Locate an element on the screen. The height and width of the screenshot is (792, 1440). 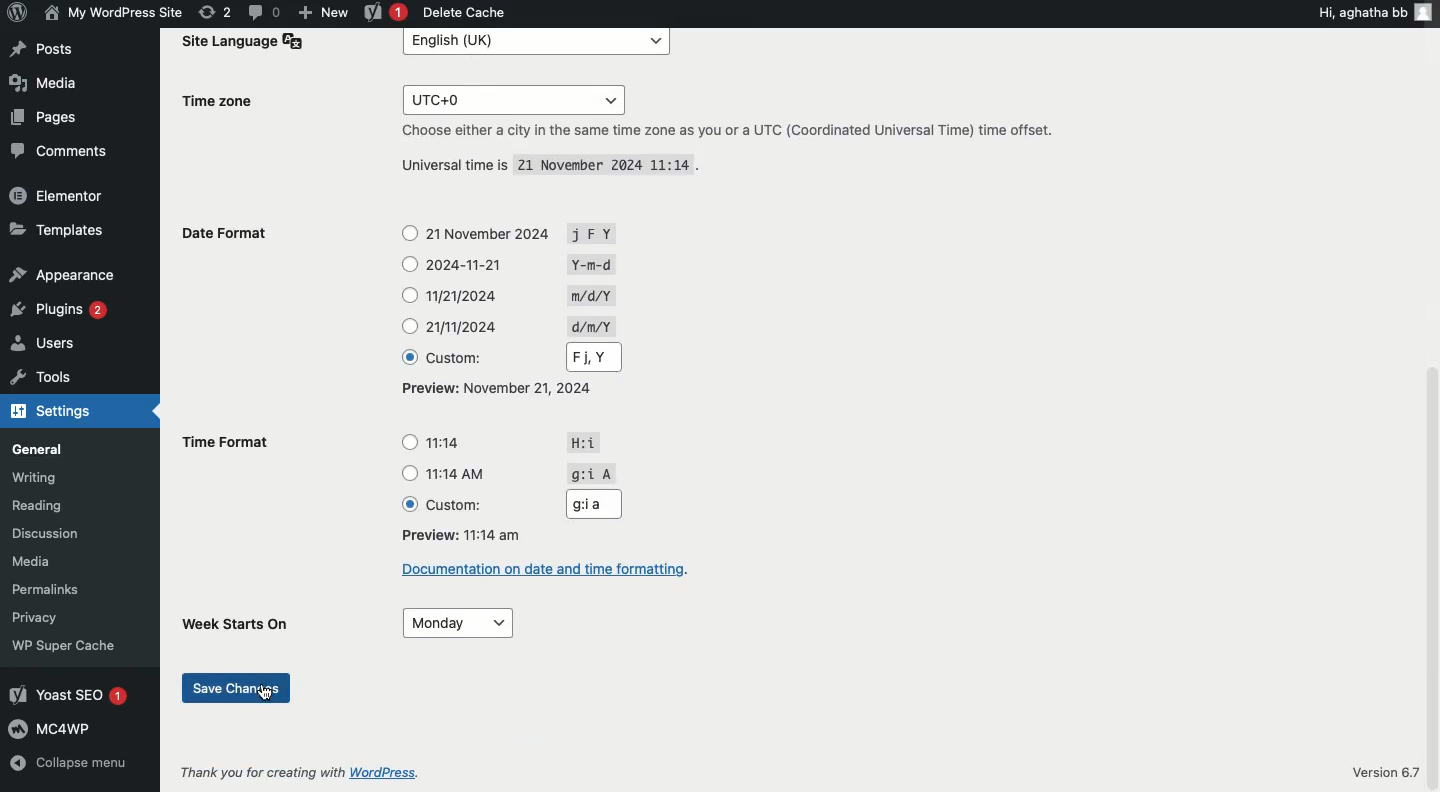
Fj y is located at coordinates (593, 356).